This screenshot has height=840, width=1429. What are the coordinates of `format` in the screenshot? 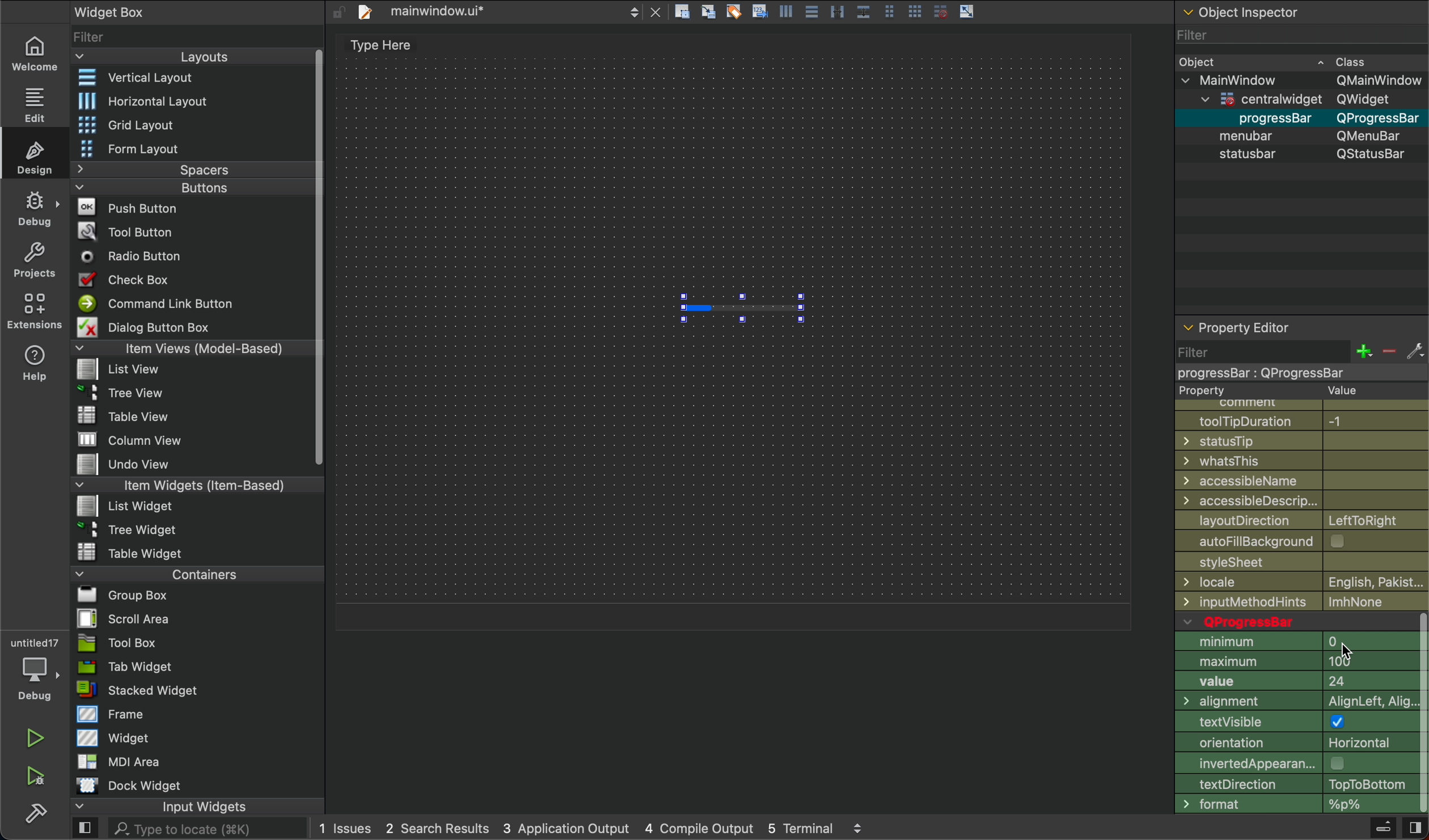 It's located at (1292, 805).